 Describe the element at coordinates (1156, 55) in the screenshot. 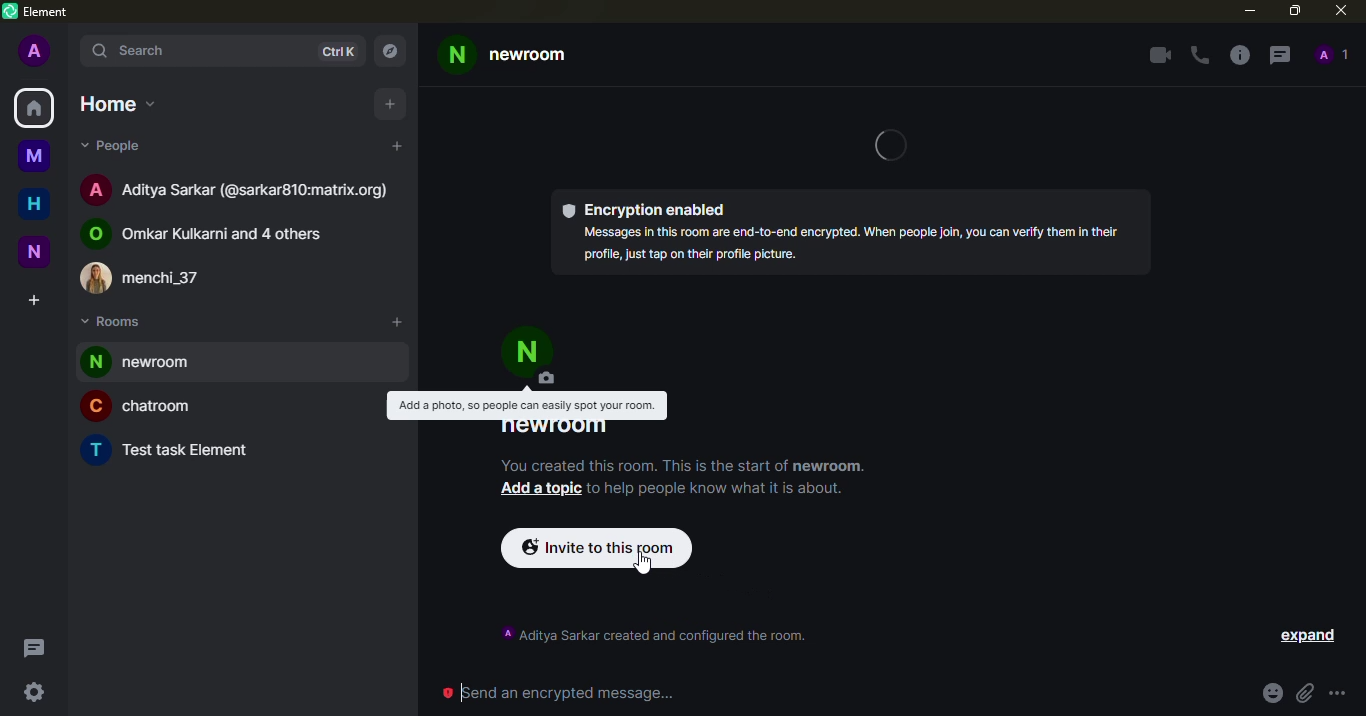

I see `video call` at that location.